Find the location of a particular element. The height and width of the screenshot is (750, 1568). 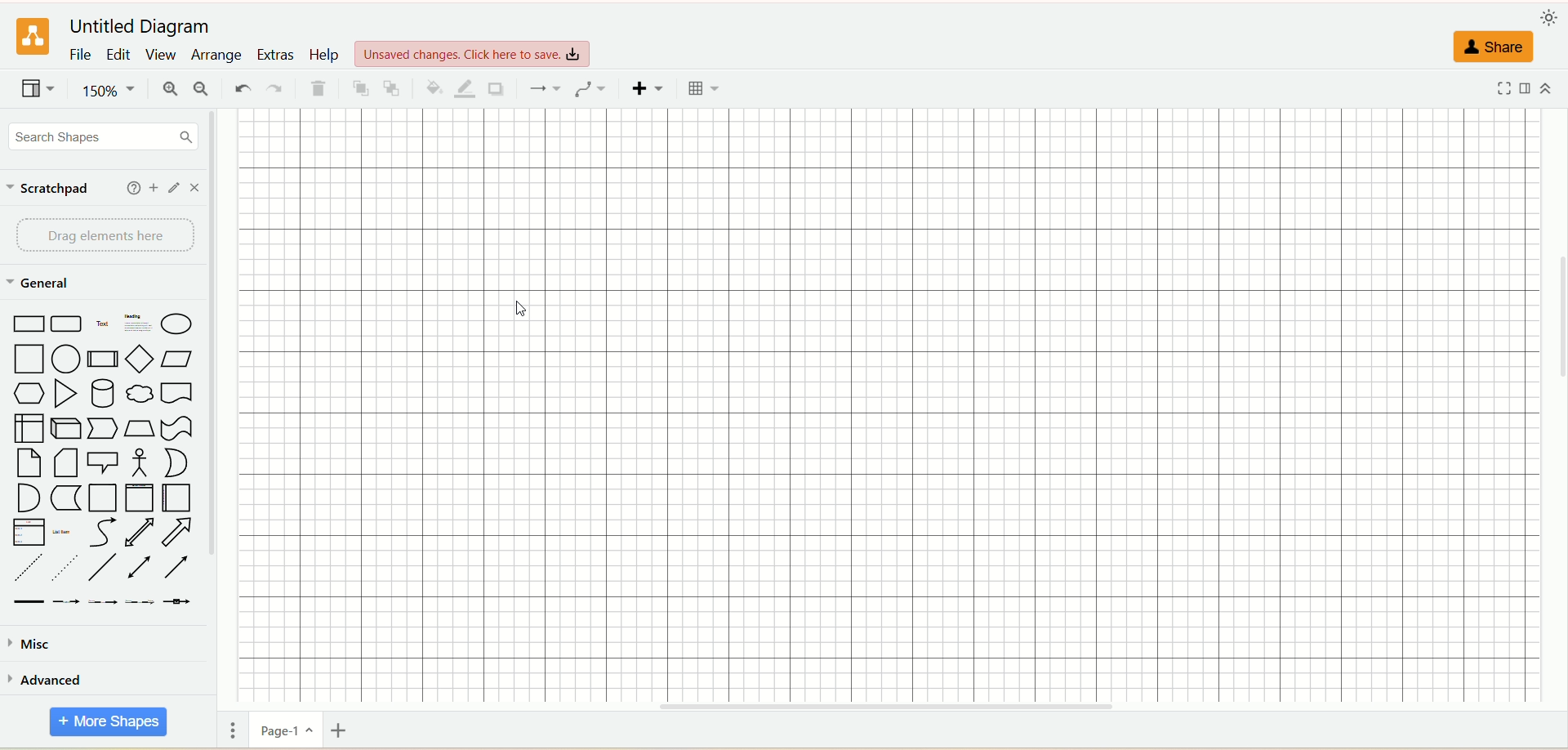

waypoints is located at coordinates (587, 88).